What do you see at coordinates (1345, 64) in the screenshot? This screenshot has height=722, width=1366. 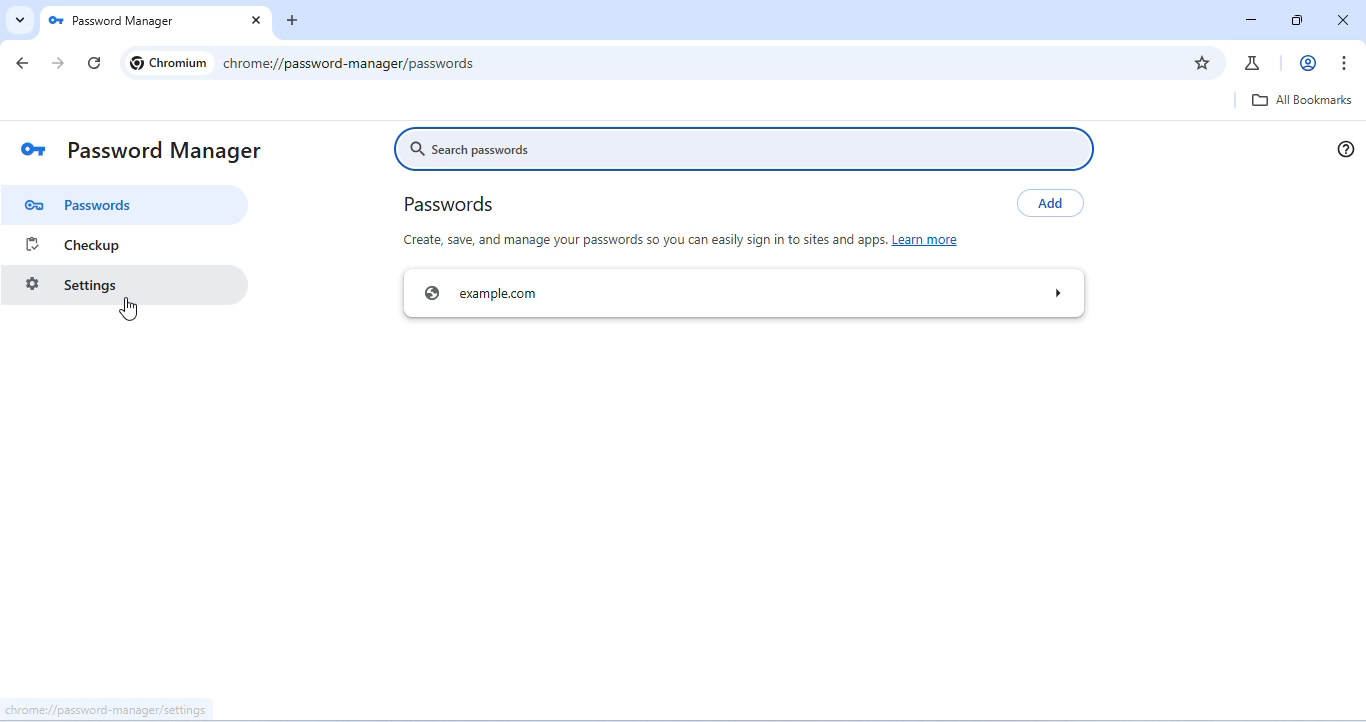 I see `customize and control chromium` at bounding box center [1345, 64].